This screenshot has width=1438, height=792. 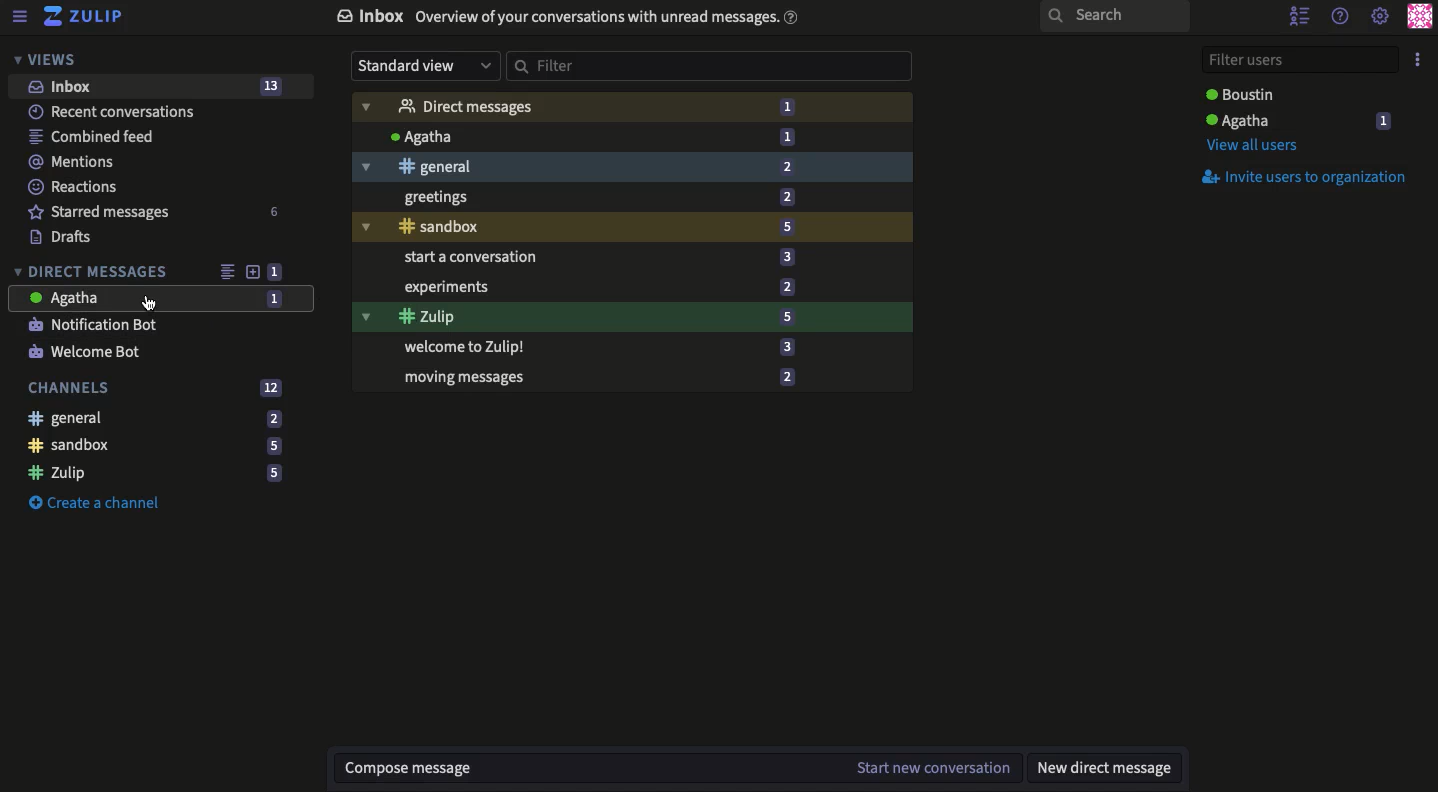 What do you see at coordinates (93, 351) in the screenshot?
I see `Welcome bot` at bounding box center [93, 351].